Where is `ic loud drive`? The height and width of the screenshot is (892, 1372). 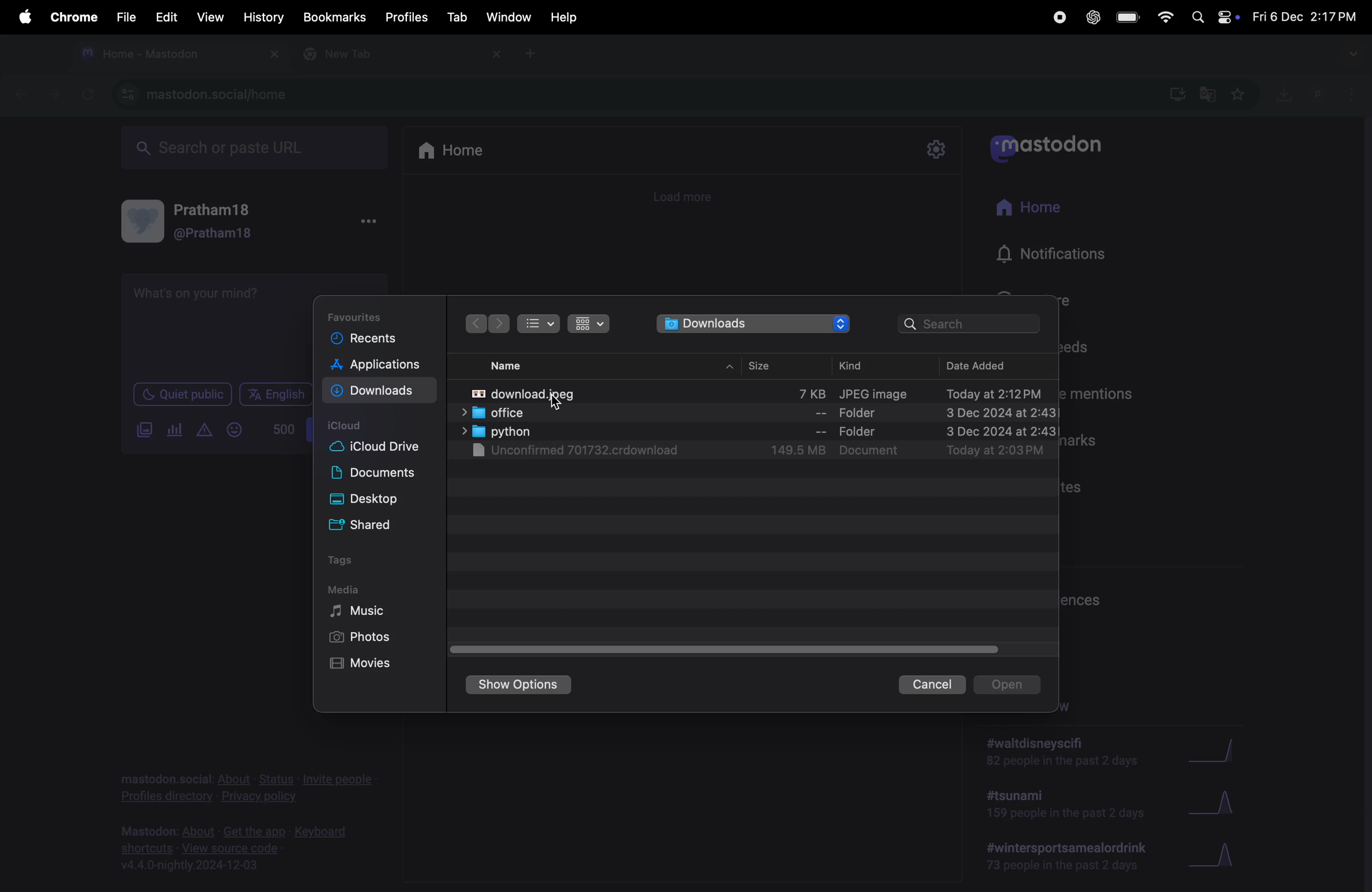
ic loud drive is located at coordinates (376, 448).